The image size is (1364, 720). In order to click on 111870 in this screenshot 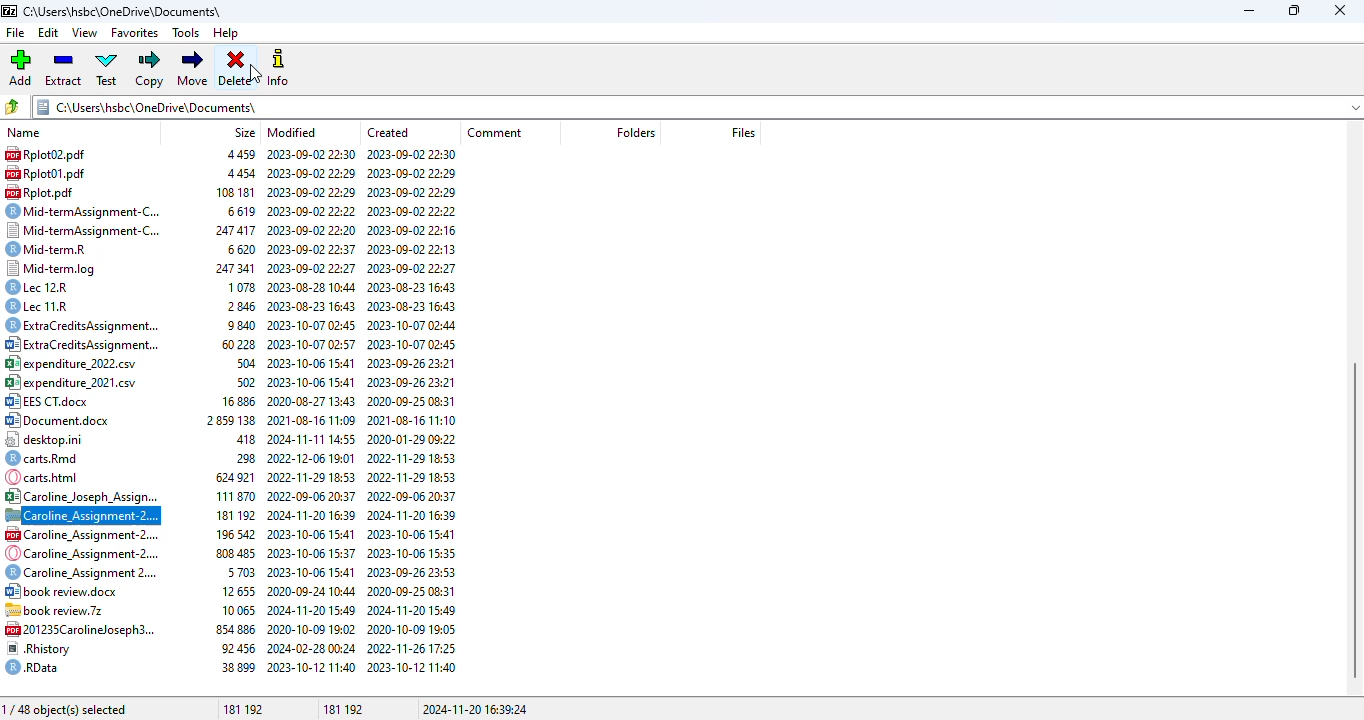, I will do `click(237, 497)`.